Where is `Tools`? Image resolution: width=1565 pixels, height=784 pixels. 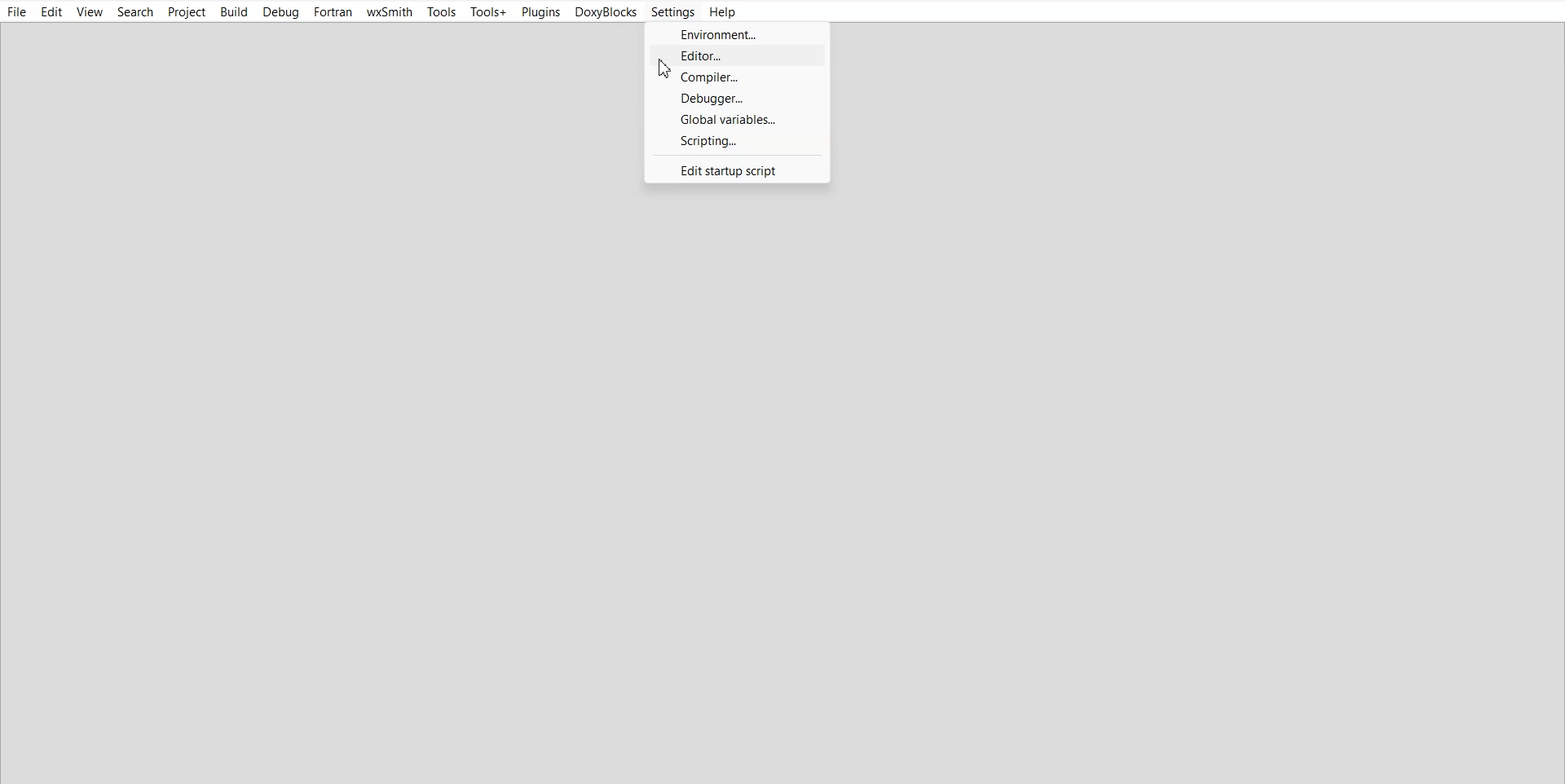 Tools is located at coordinates (442, 12).